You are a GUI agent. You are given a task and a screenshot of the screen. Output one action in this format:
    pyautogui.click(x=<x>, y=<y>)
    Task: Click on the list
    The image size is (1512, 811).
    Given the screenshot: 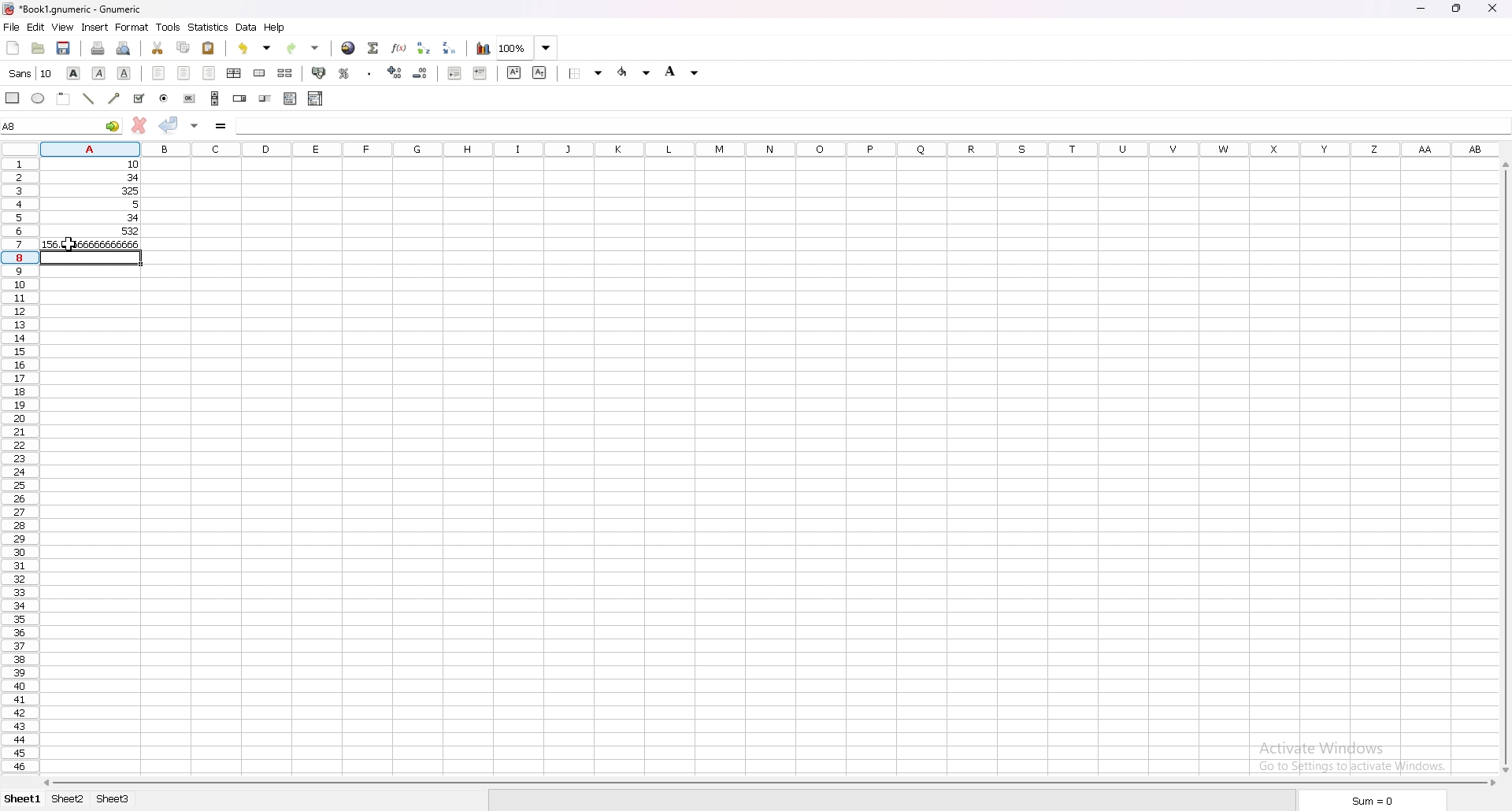 What is the action you would take?
    pyautogui.click(x=291, y=98)
    